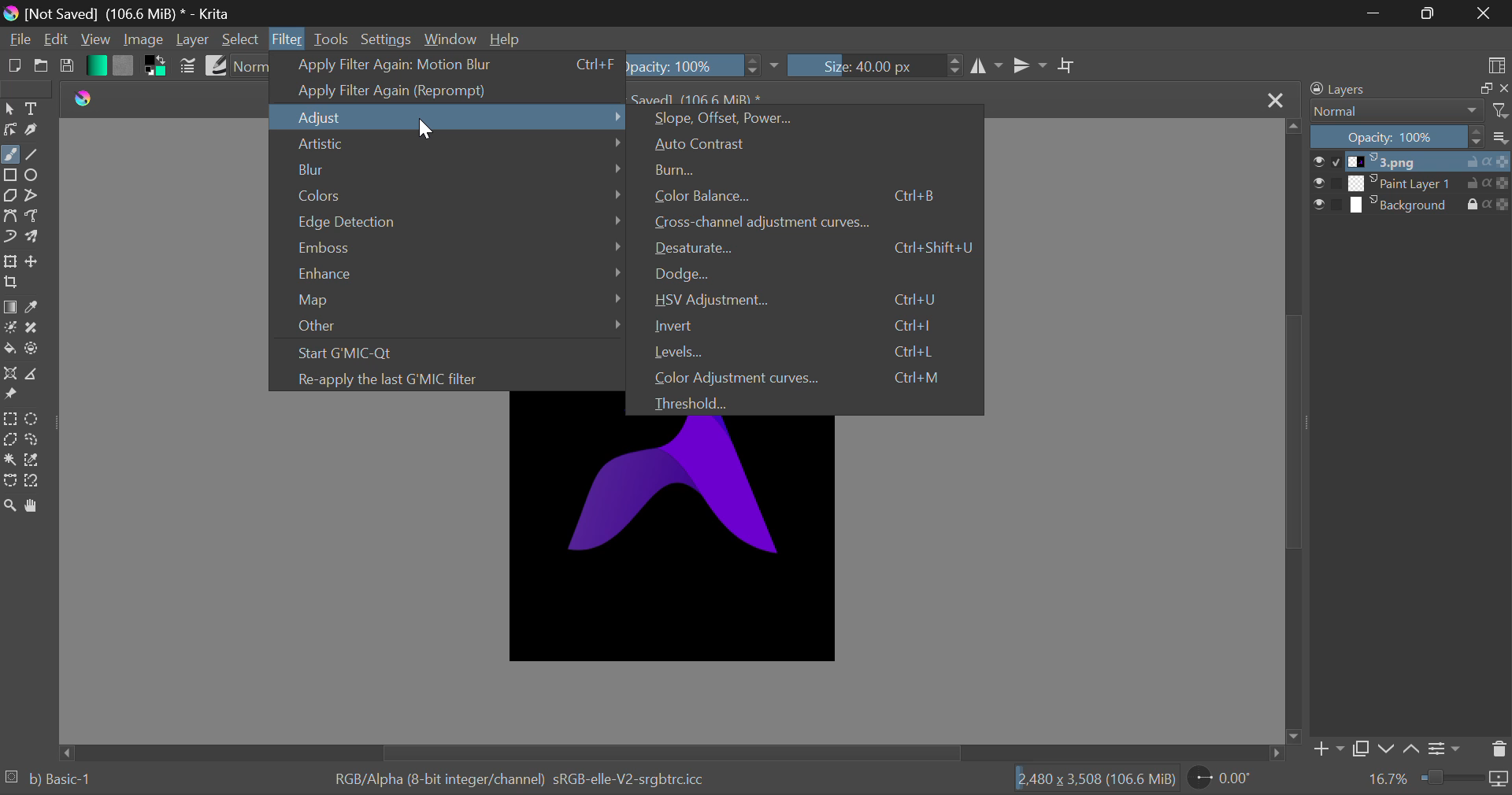  Describe the element at coordinates (813, 195) in the screenshot. I see `Color Balance` at that location.